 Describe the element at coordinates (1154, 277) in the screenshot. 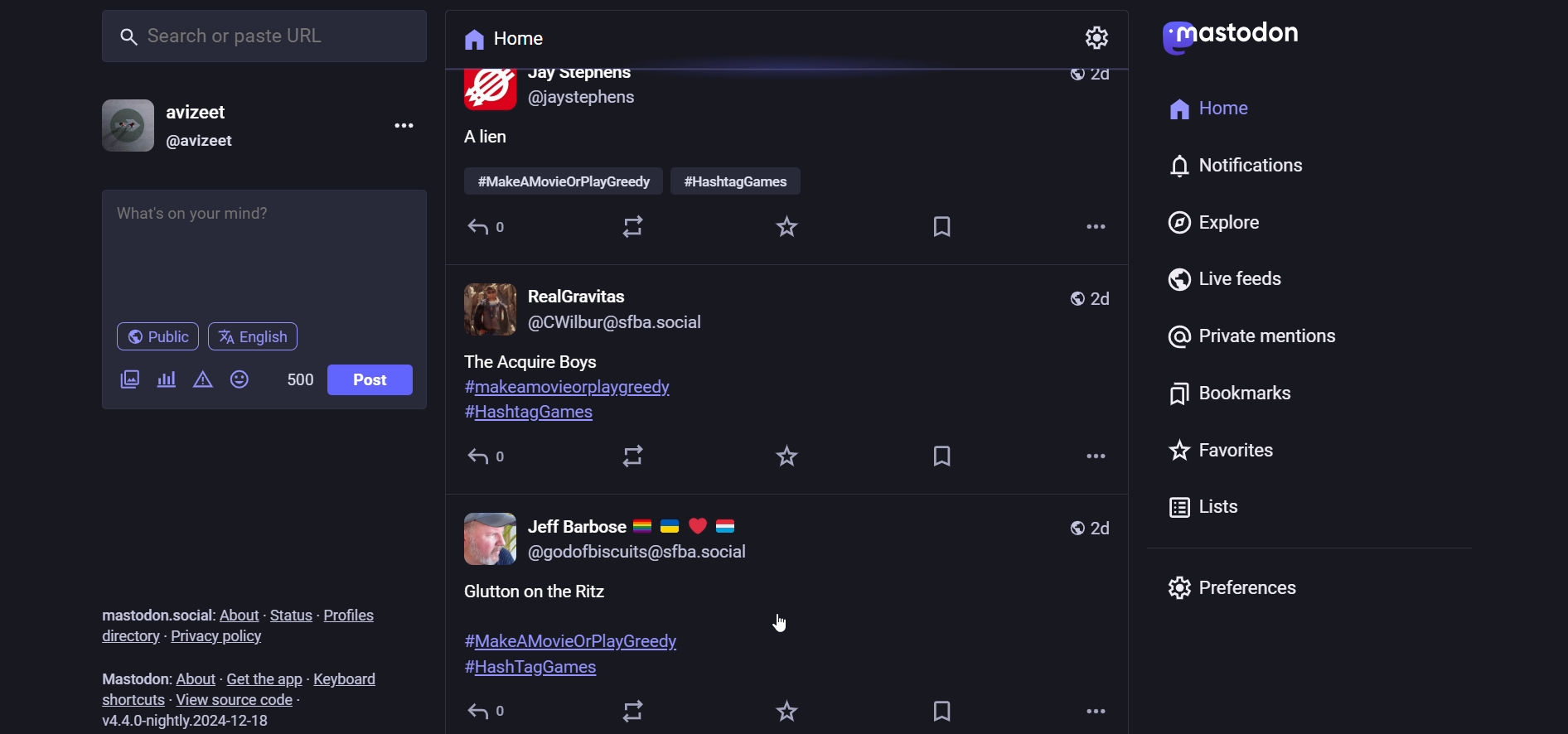

I see `live feed` at that location.